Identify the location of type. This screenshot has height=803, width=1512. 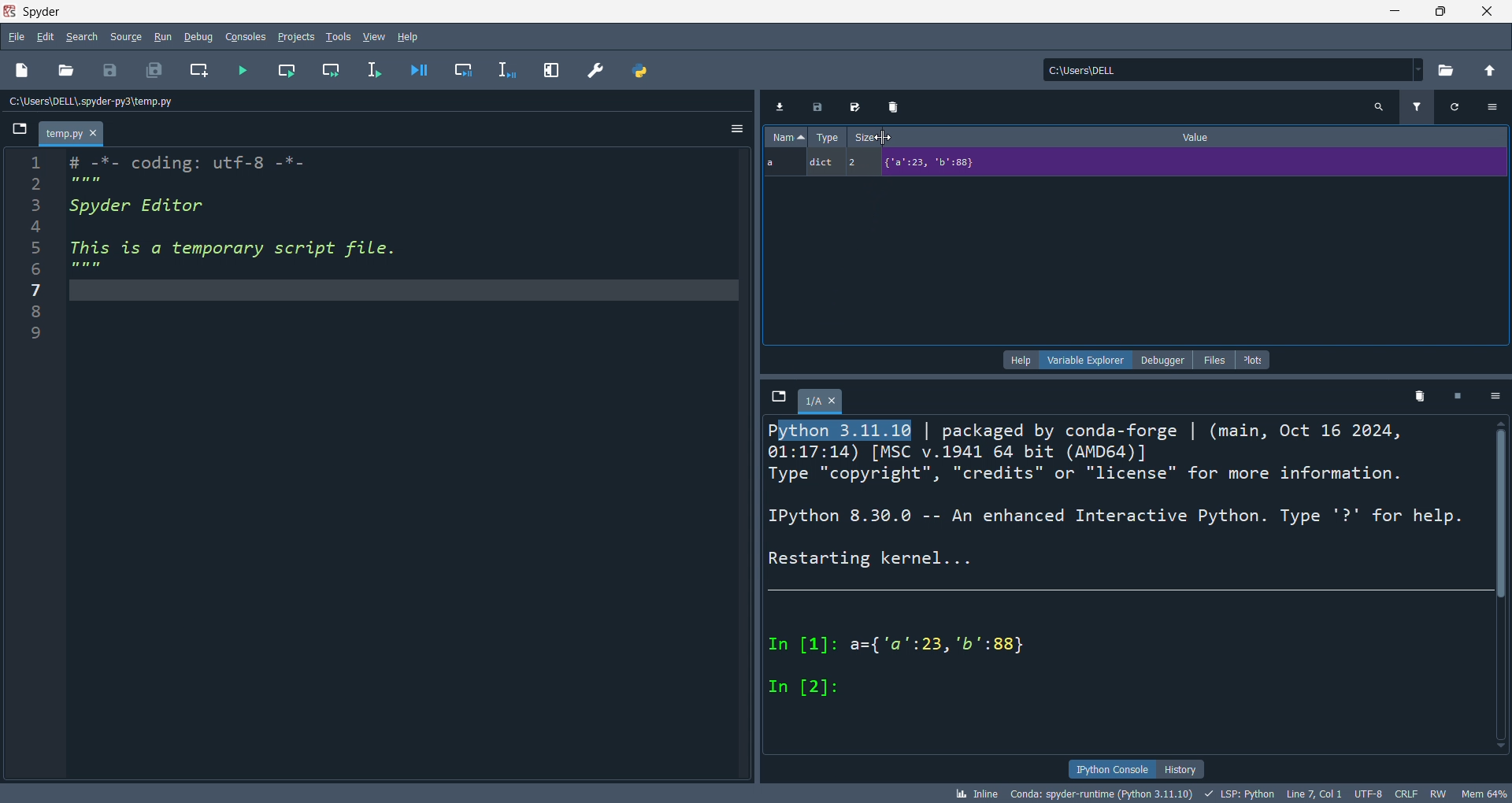
(829, 139).